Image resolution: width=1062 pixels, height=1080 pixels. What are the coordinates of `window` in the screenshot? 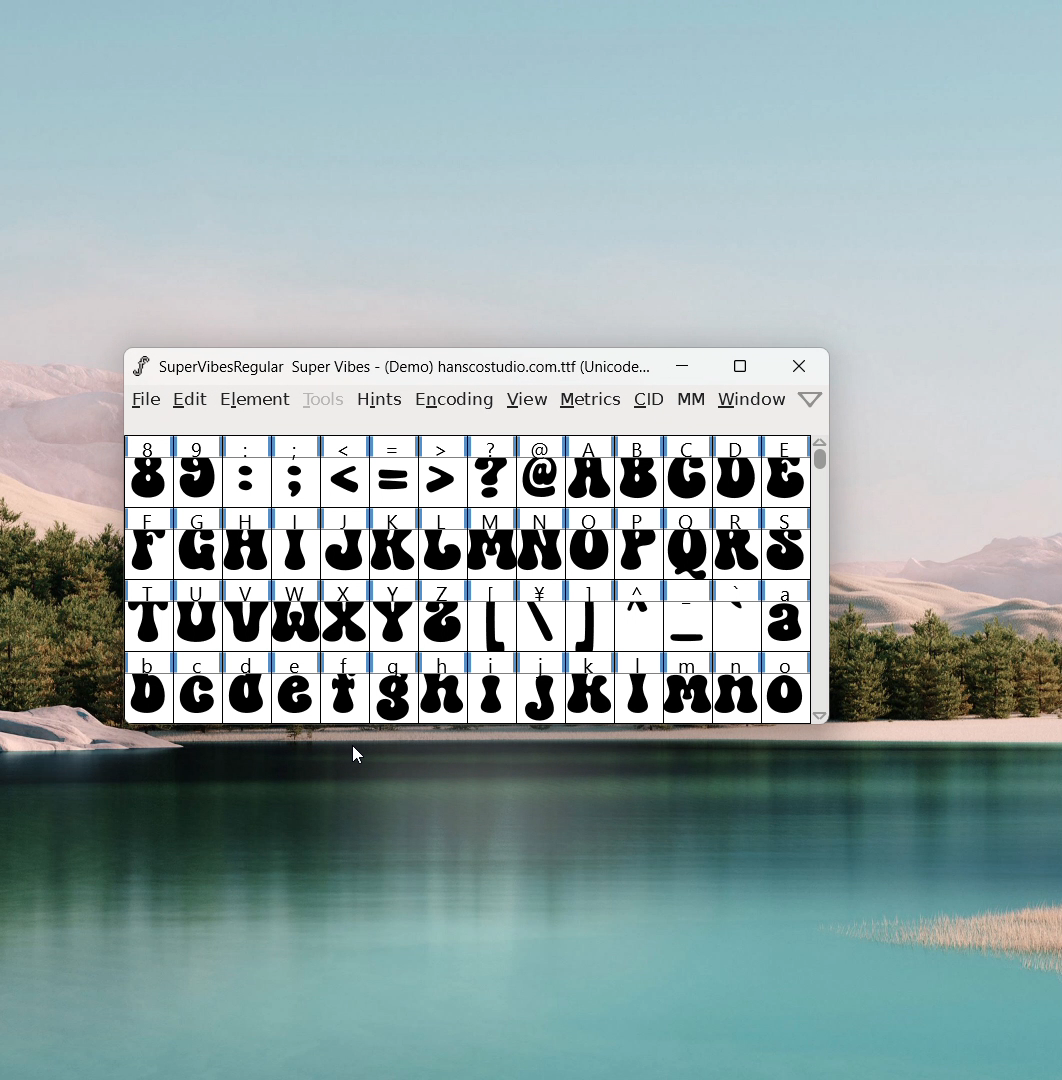 It's located at (752, 400).